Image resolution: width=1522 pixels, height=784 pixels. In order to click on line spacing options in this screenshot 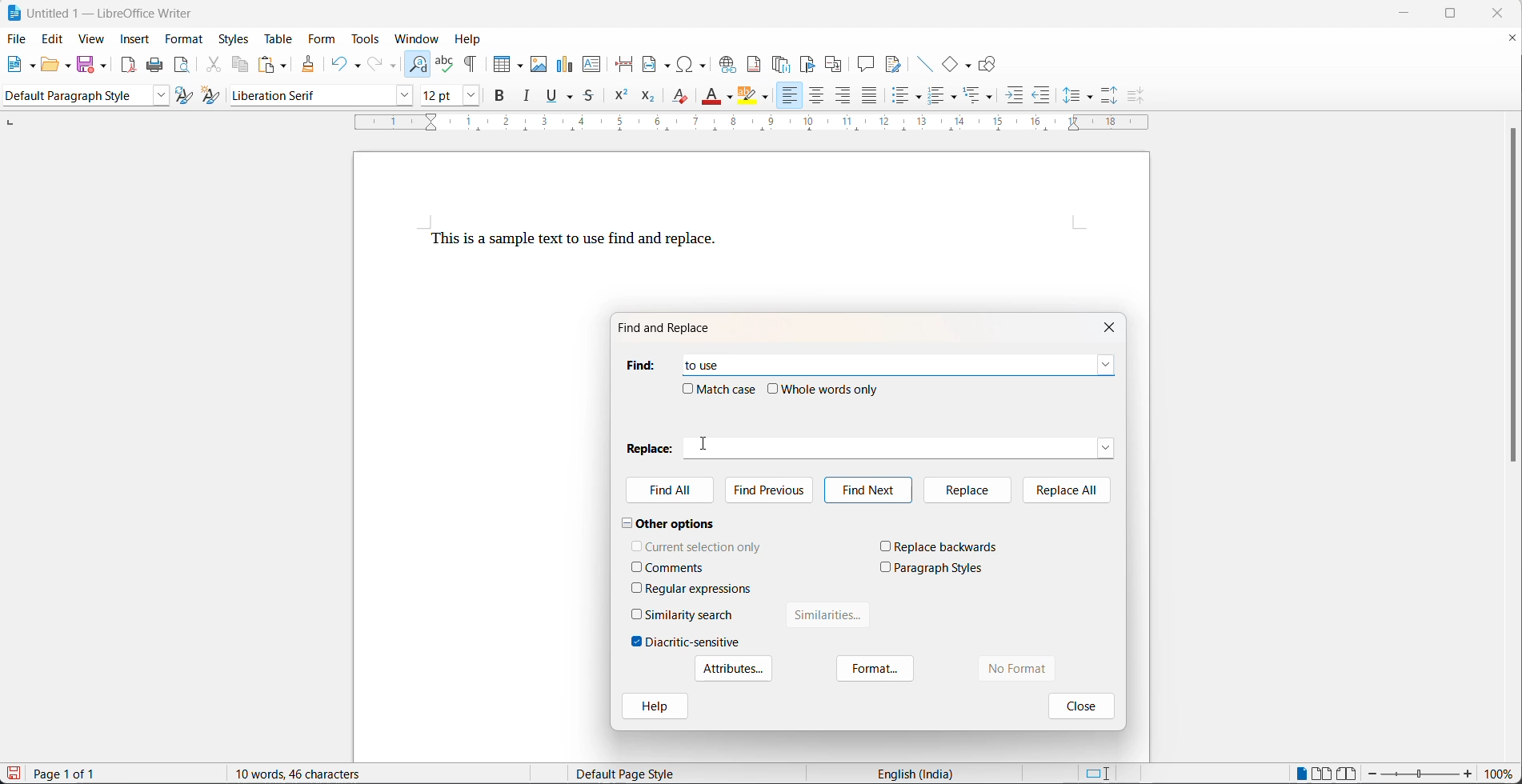, I will do `click(1071, 96)`.